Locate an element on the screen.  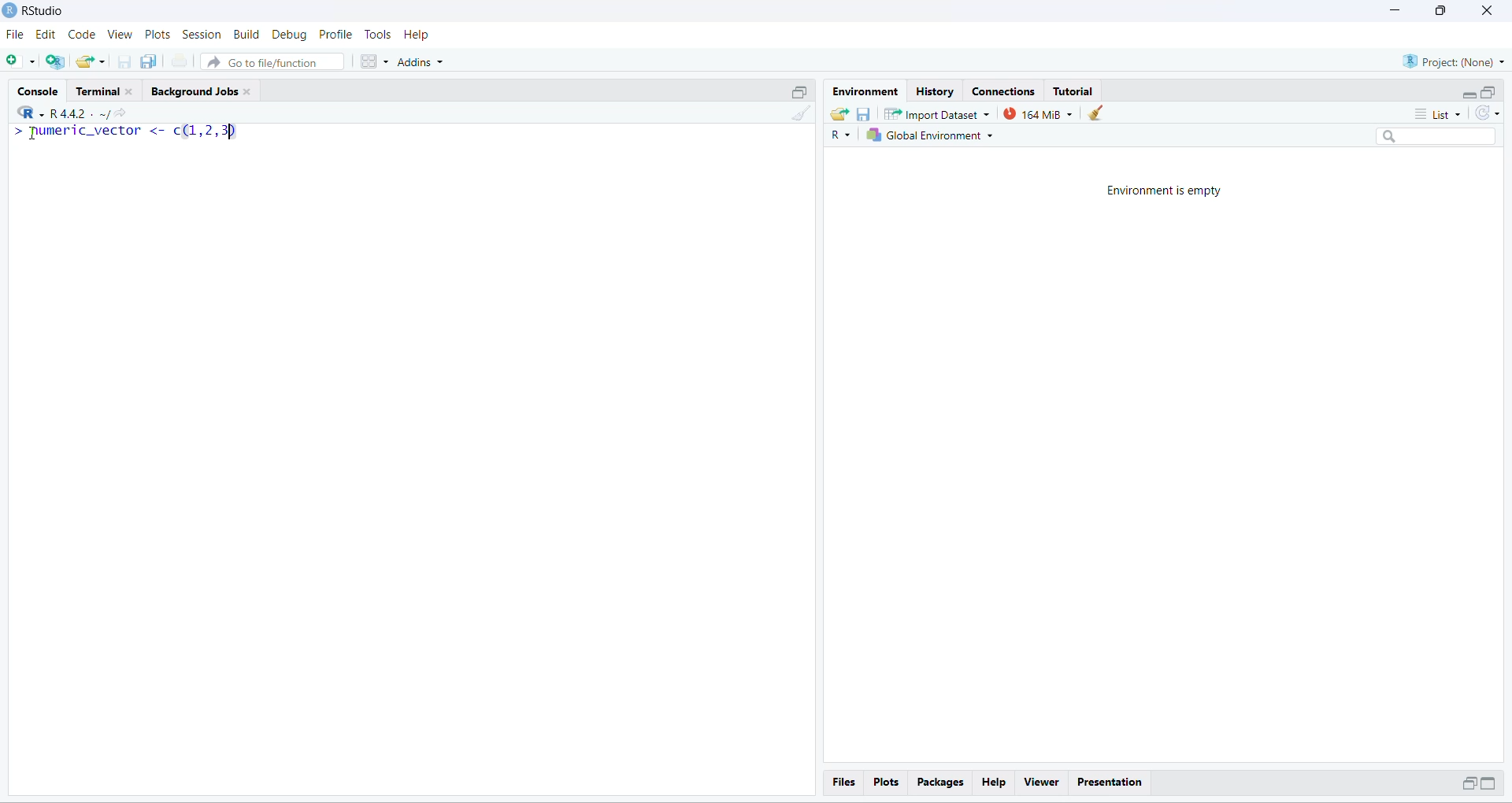
numeric_vector <- c(1,2,3p is located at coordinates (126, 131).